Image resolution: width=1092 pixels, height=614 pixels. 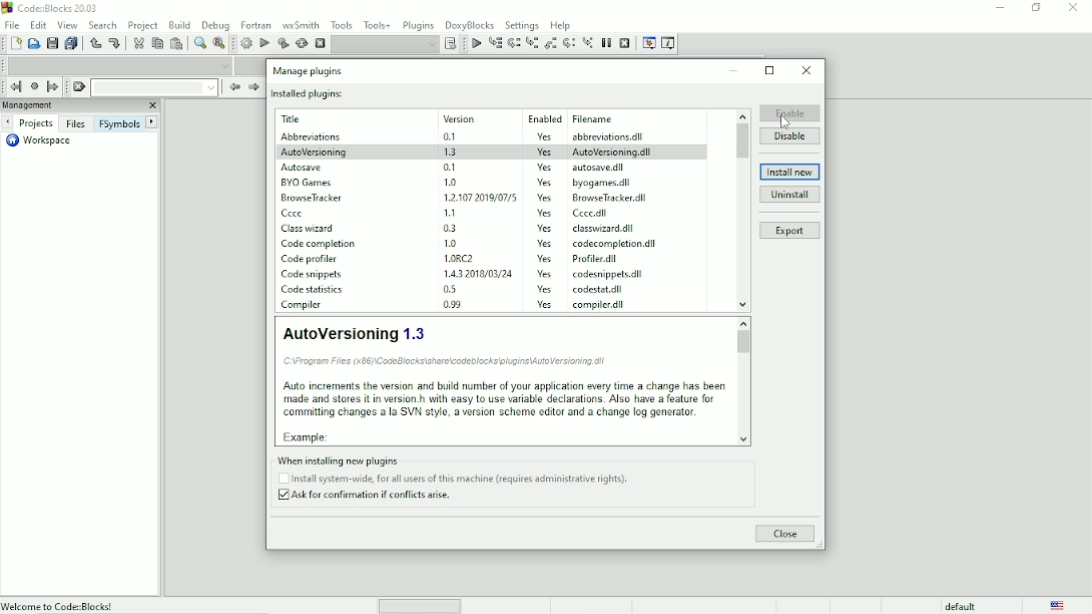 I want to click on Yes, so click(x=545, y=304).